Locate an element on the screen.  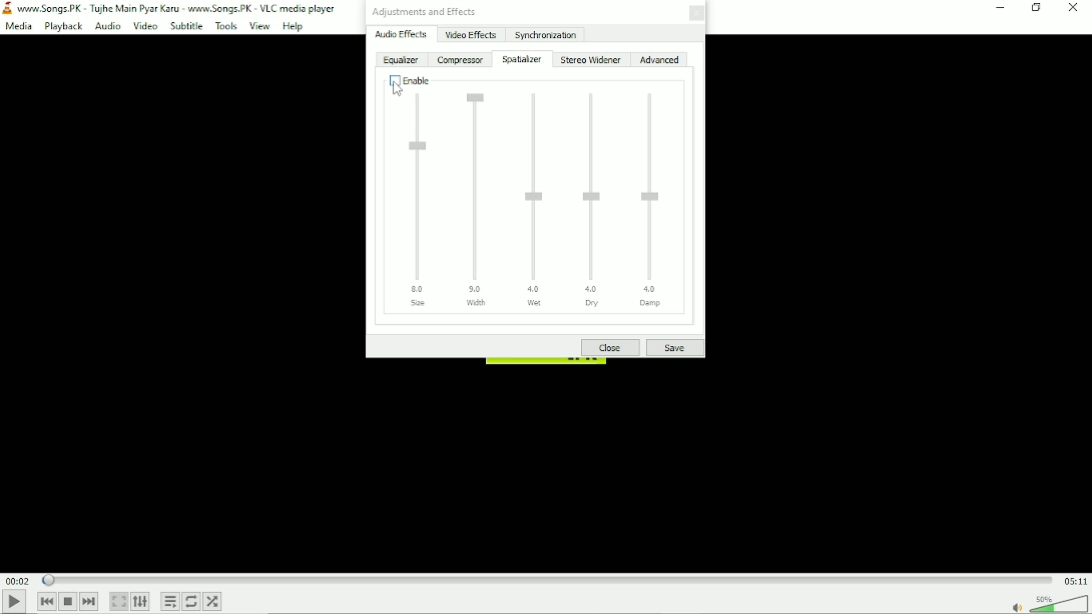
Previous is located at coordinates (45, 602).